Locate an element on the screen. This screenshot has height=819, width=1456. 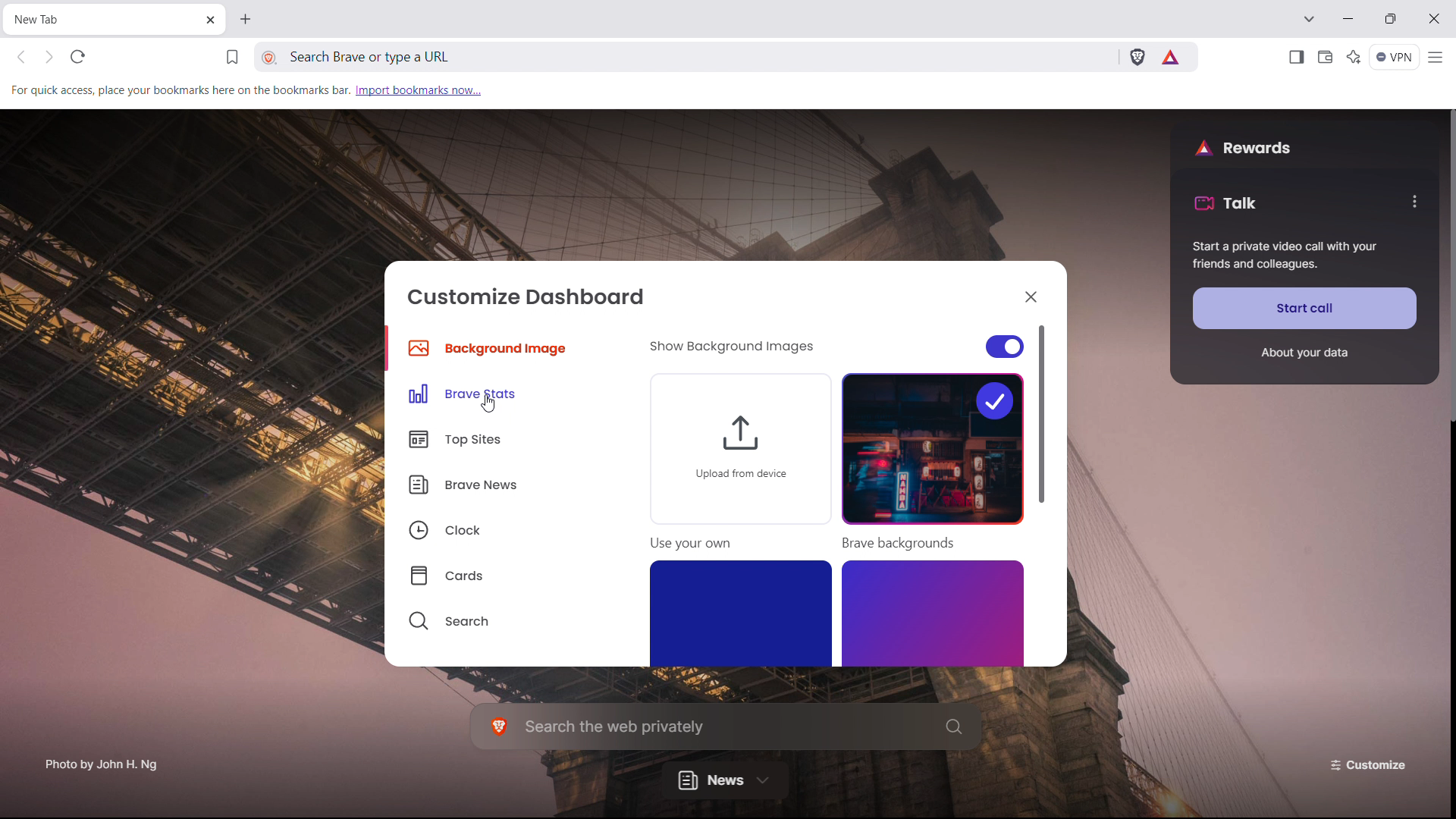
close is located at coordinates (1432, 19).